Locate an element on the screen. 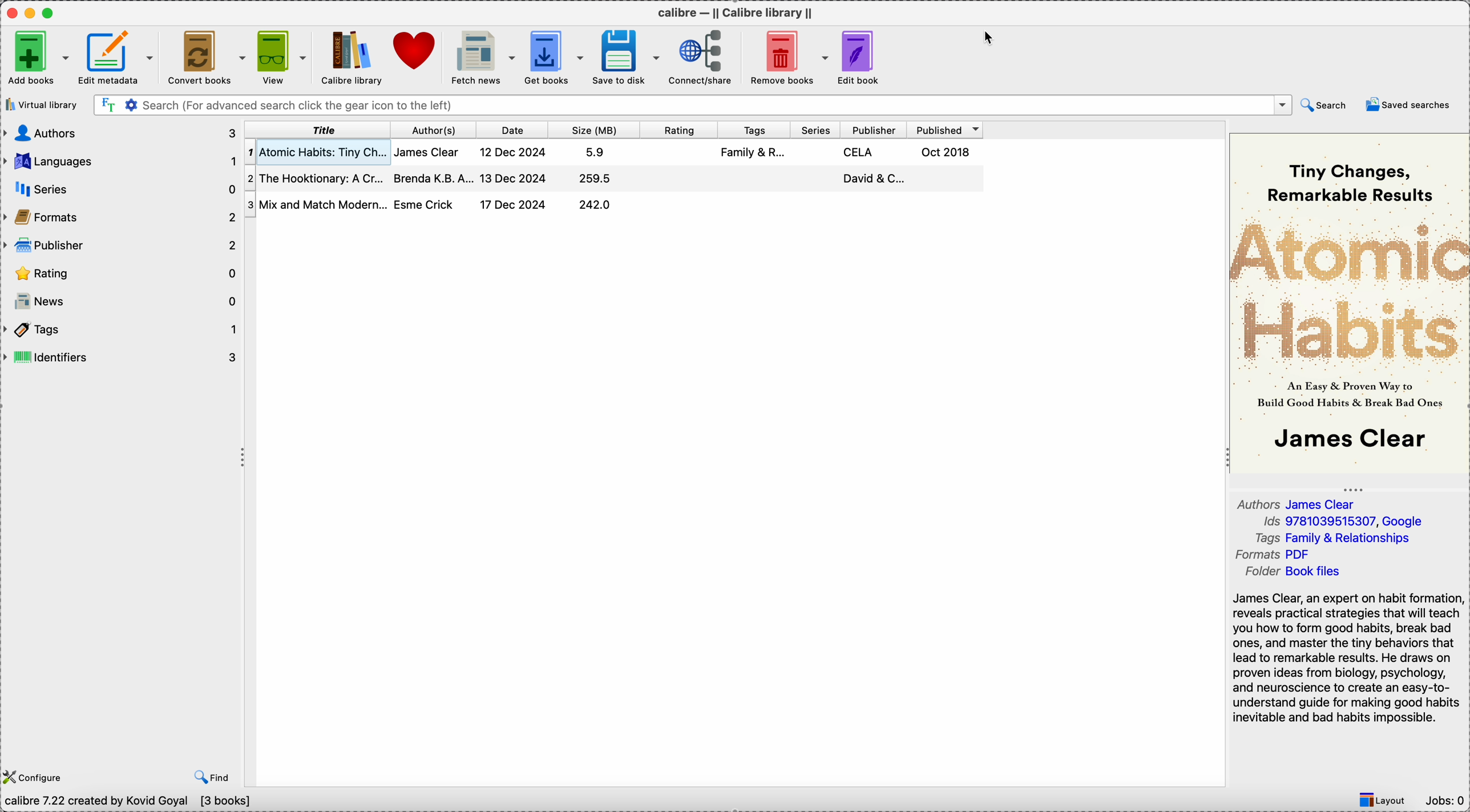 The height and width of the screenshot is (812, 1470). configure is located at coordinates (35, 775).